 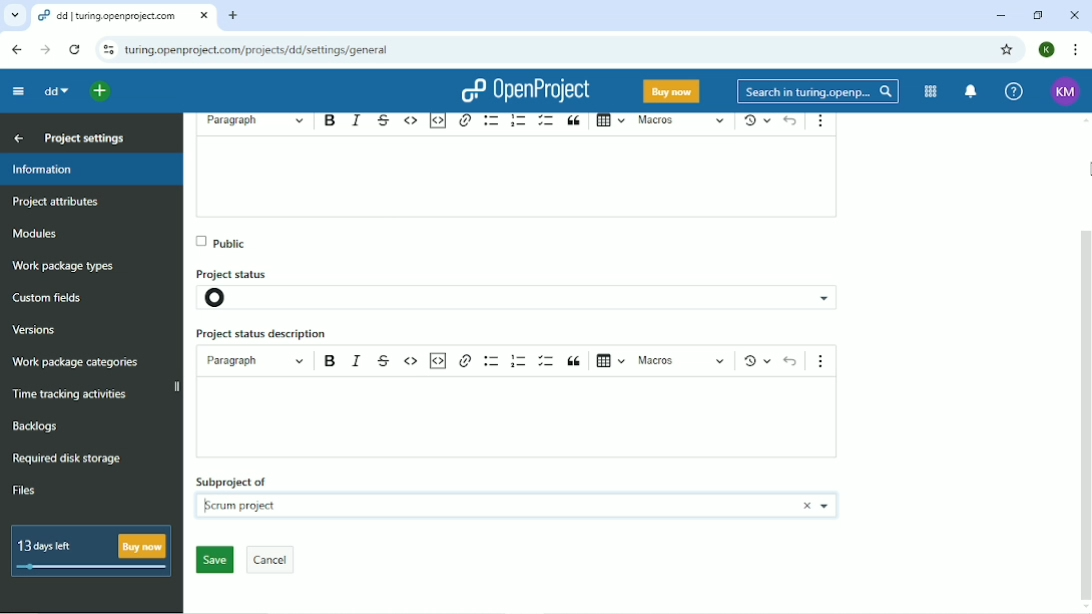 What do you see at coordinates (33, 233) in the screenshot?
I see `Modules` at bounding box center [33, 233].